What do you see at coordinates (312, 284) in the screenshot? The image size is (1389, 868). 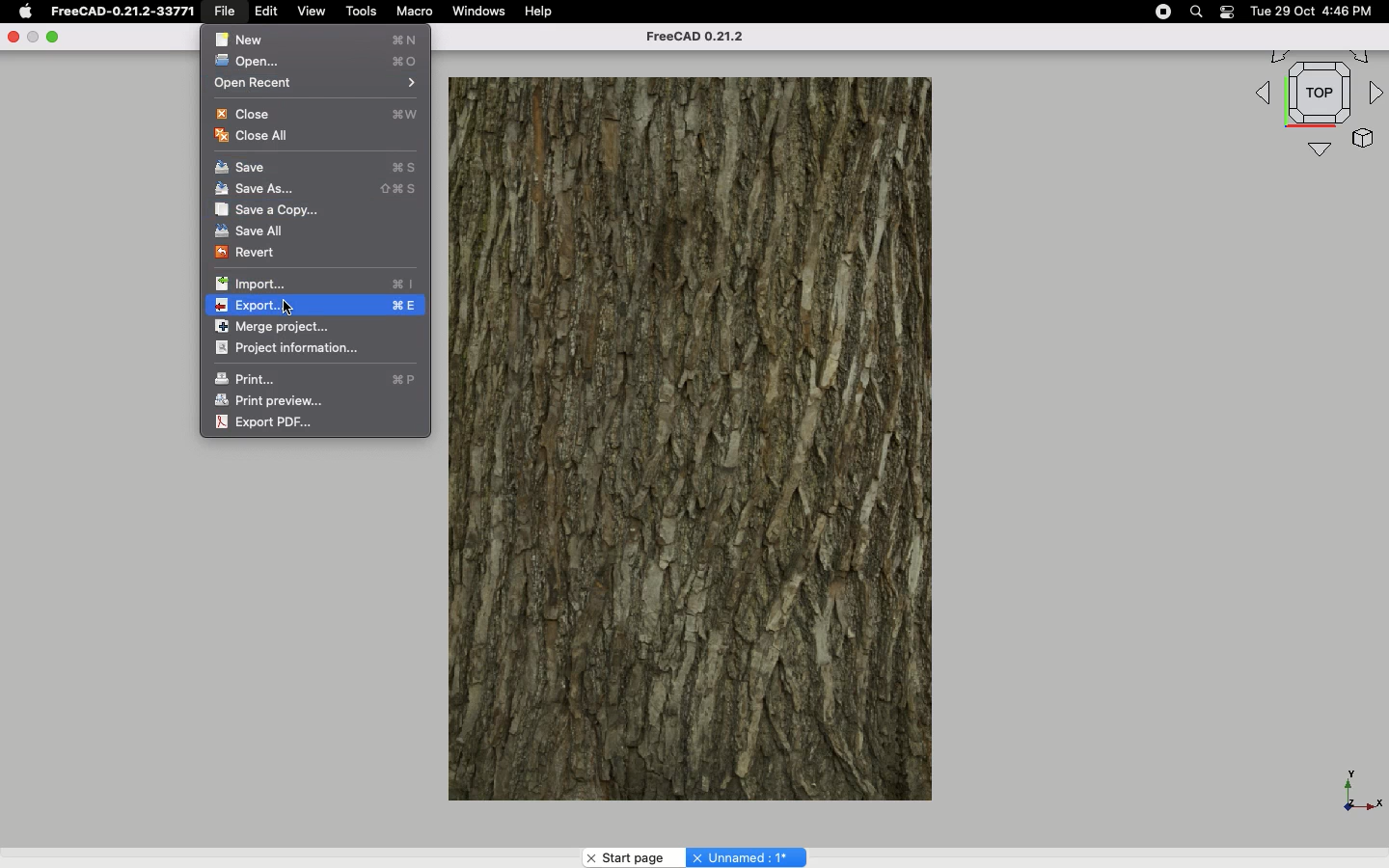 I see `Import` at bounding box center [312, 284].